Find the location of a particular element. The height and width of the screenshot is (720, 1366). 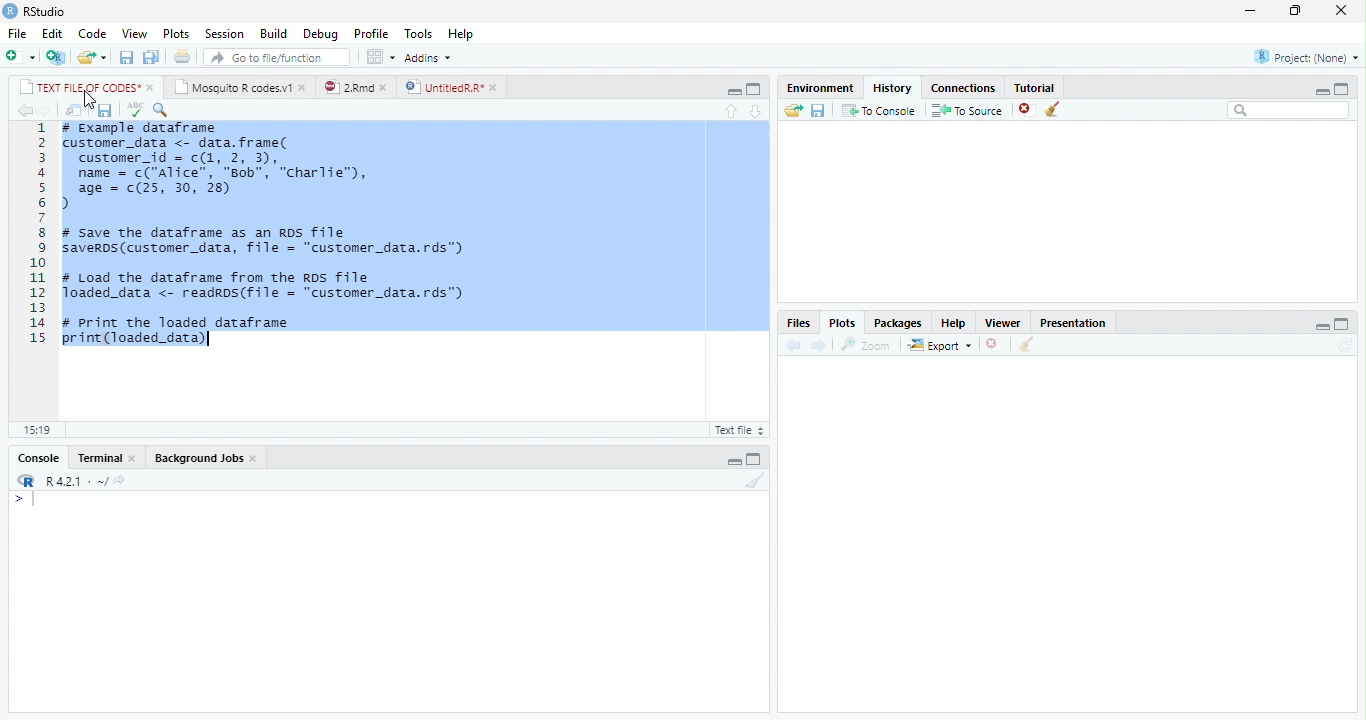

Mosquito R codes.v1 is located at coordinates (232, 87).